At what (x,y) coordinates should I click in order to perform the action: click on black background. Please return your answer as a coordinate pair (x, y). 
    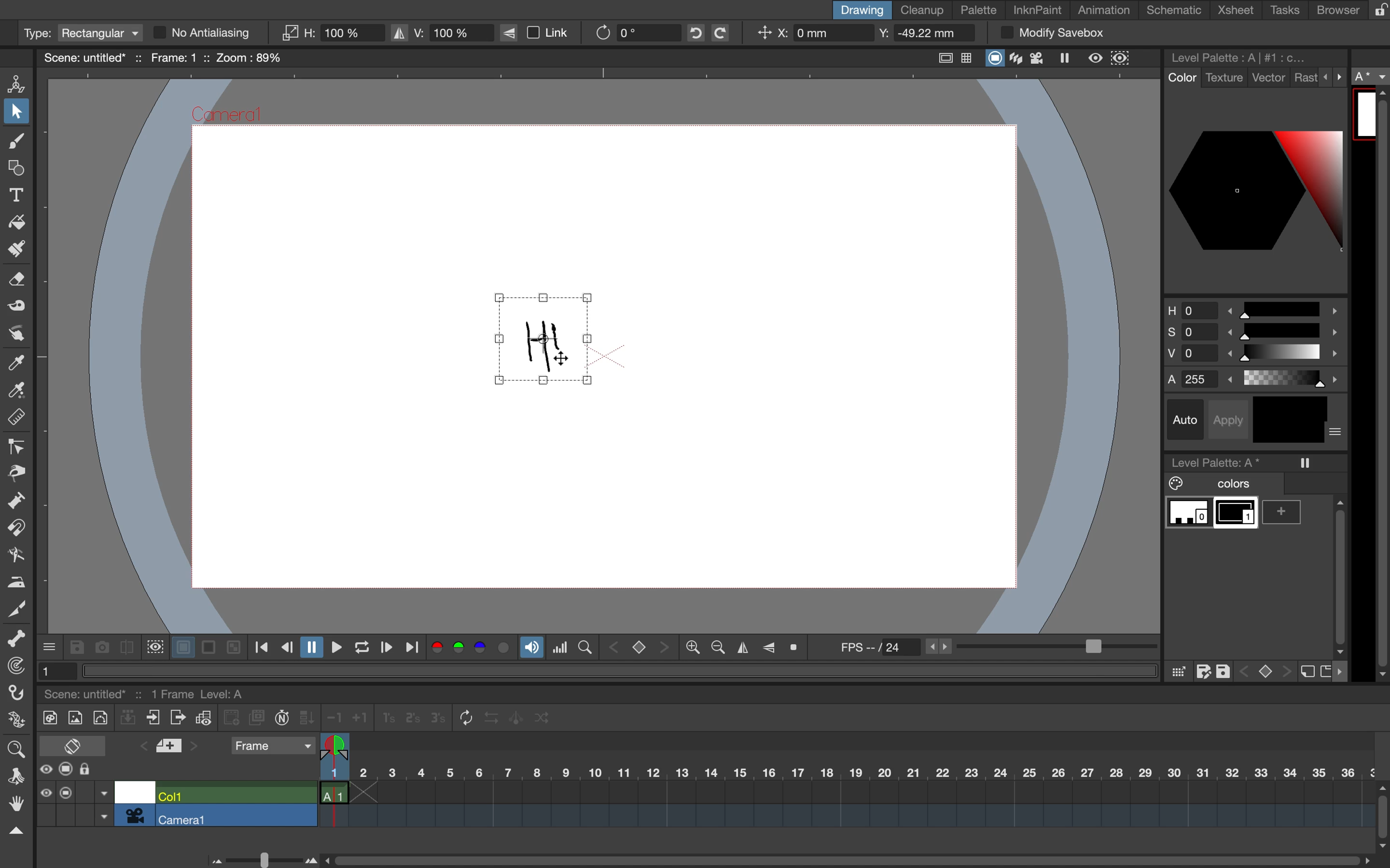
    Looking at the image, I should click on (208, 648).